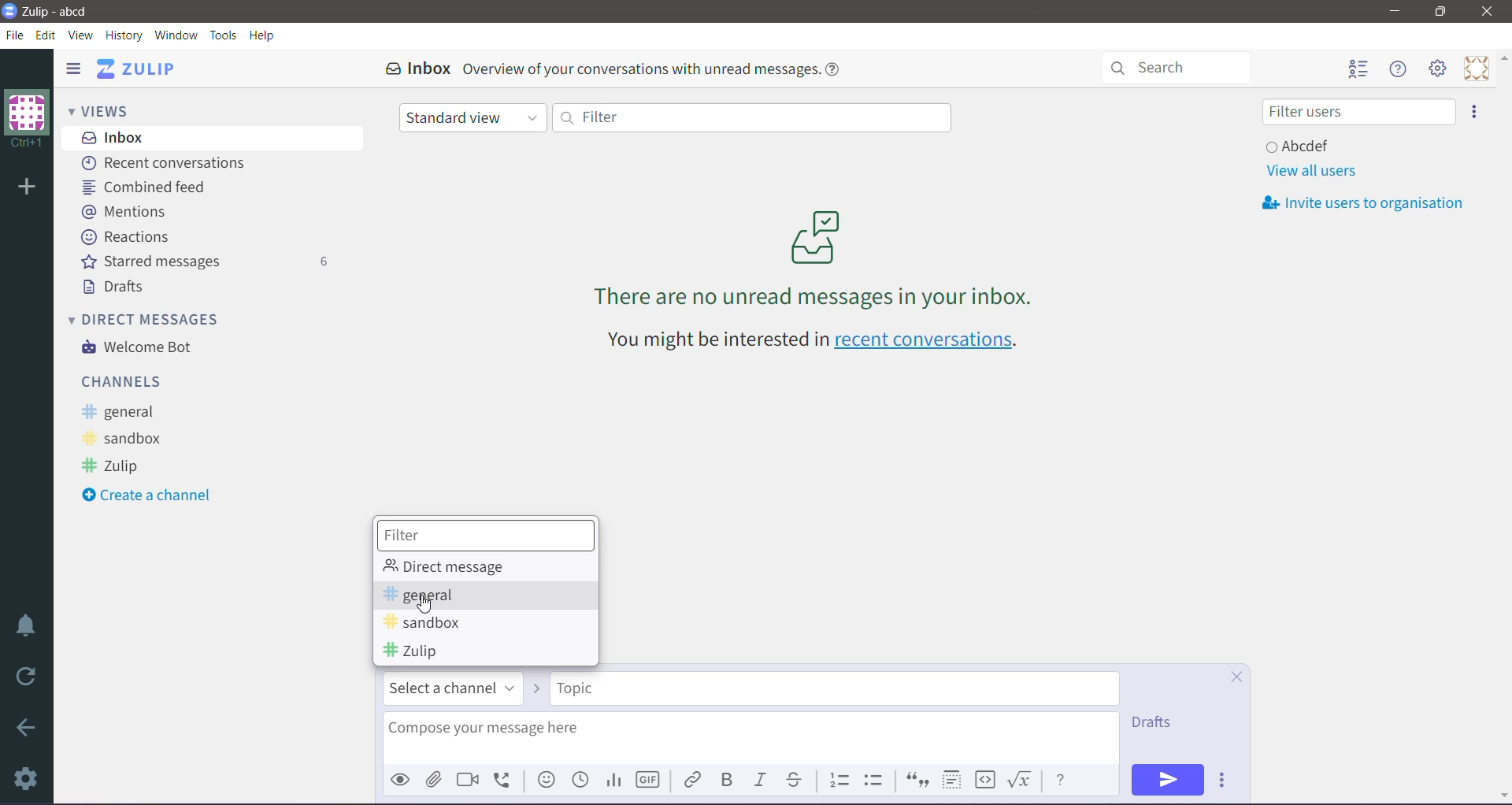 The width and height of the screenshot is (1512, 805). What do you see at coordinates (1475, 112) in the screenshot?
I see `Invite users to organization` at bounding box center [1475, 112].